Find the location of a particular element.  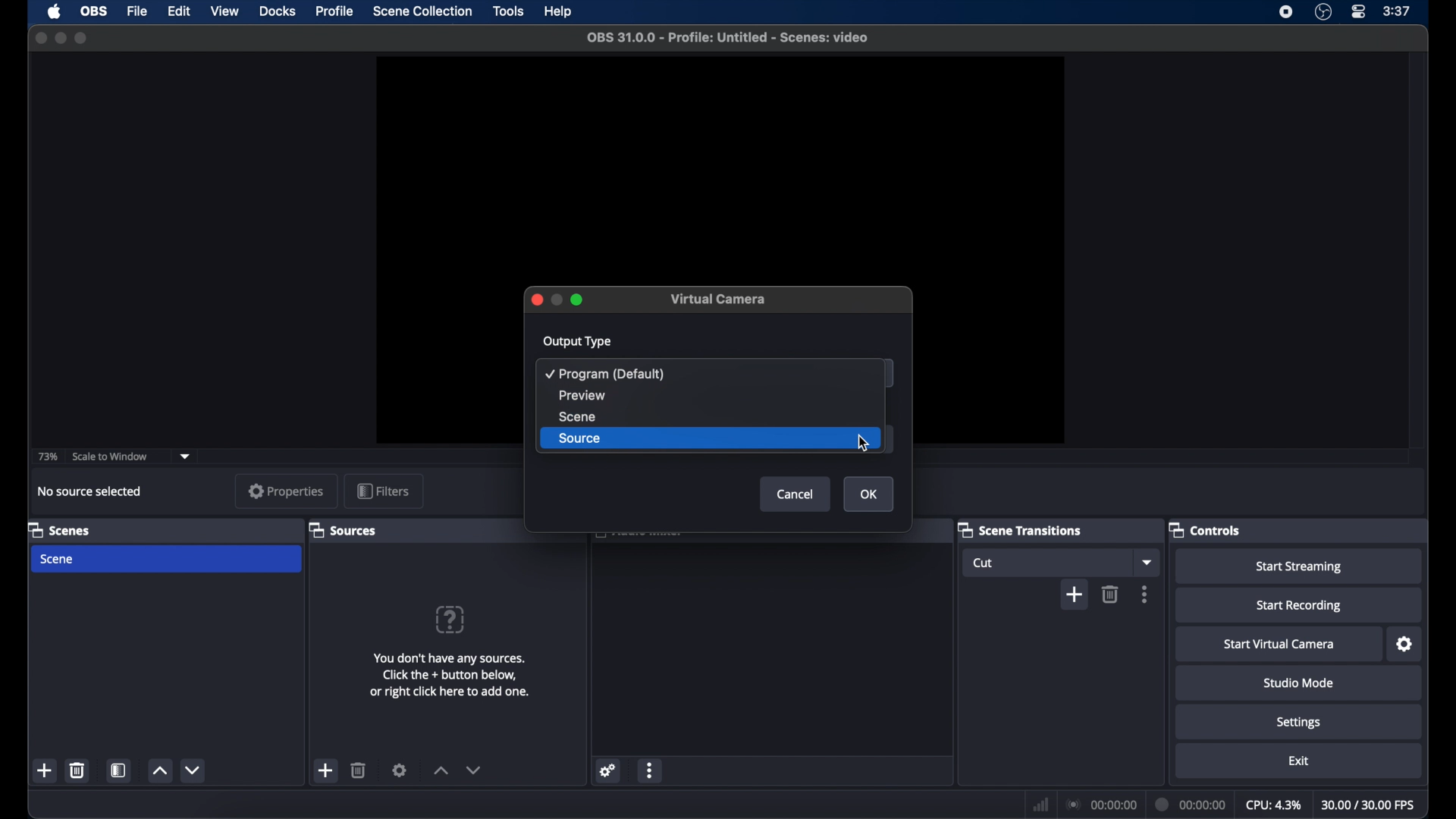

delete is located at coordinates (1110, 594).